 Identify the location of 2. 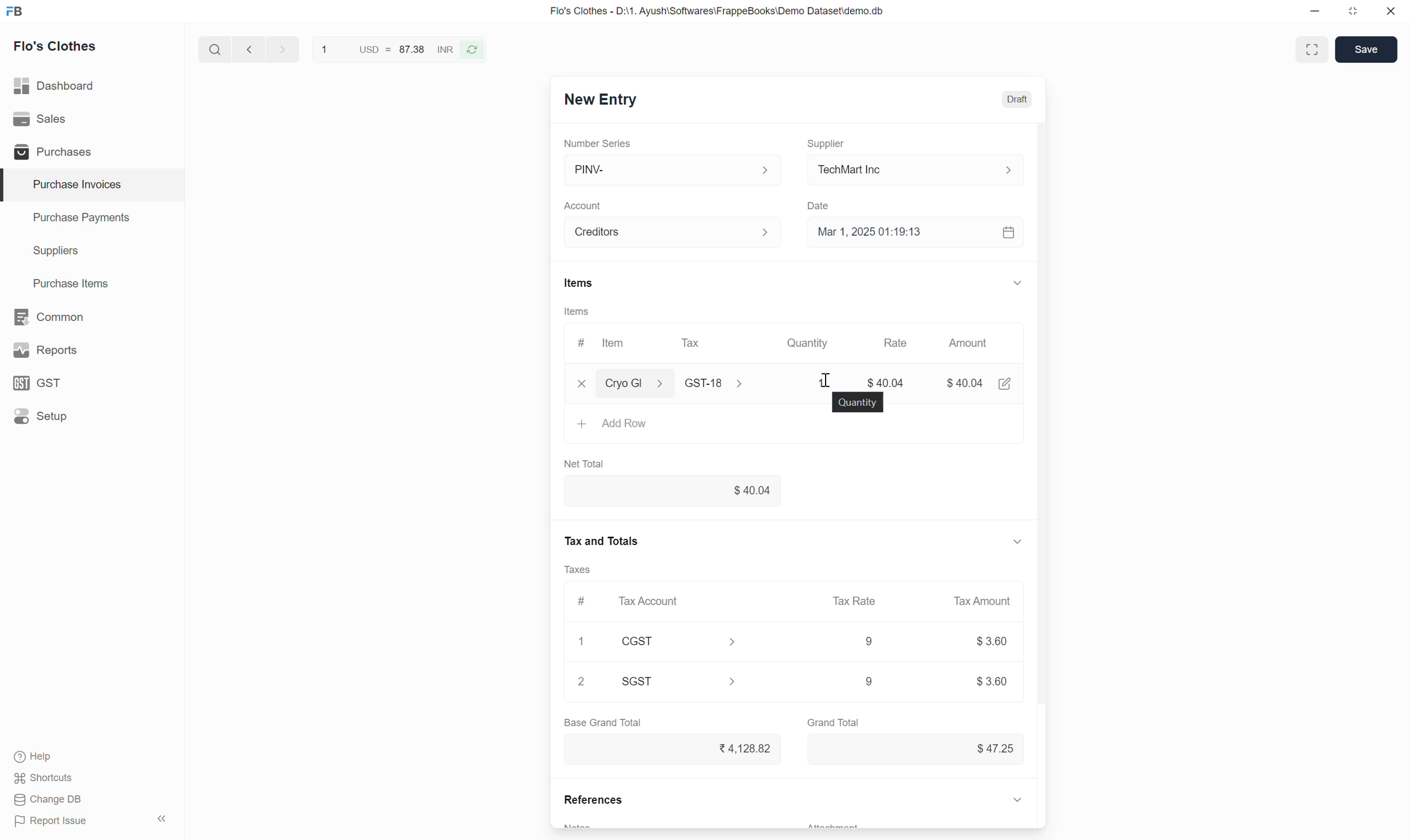
(582, 682).